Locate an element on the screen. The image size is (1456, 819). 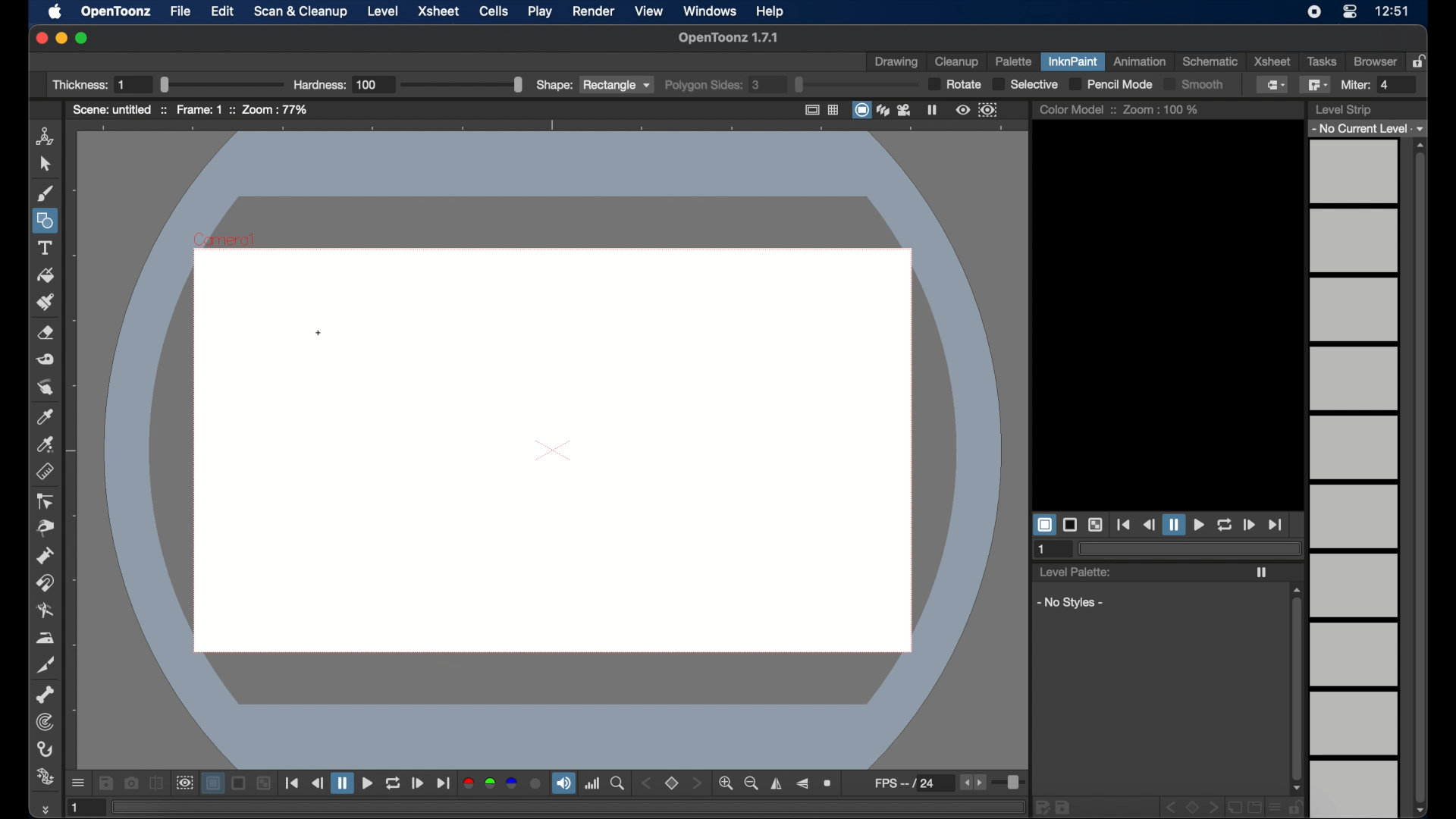
12:51 is located at coordinates (1394, 11).